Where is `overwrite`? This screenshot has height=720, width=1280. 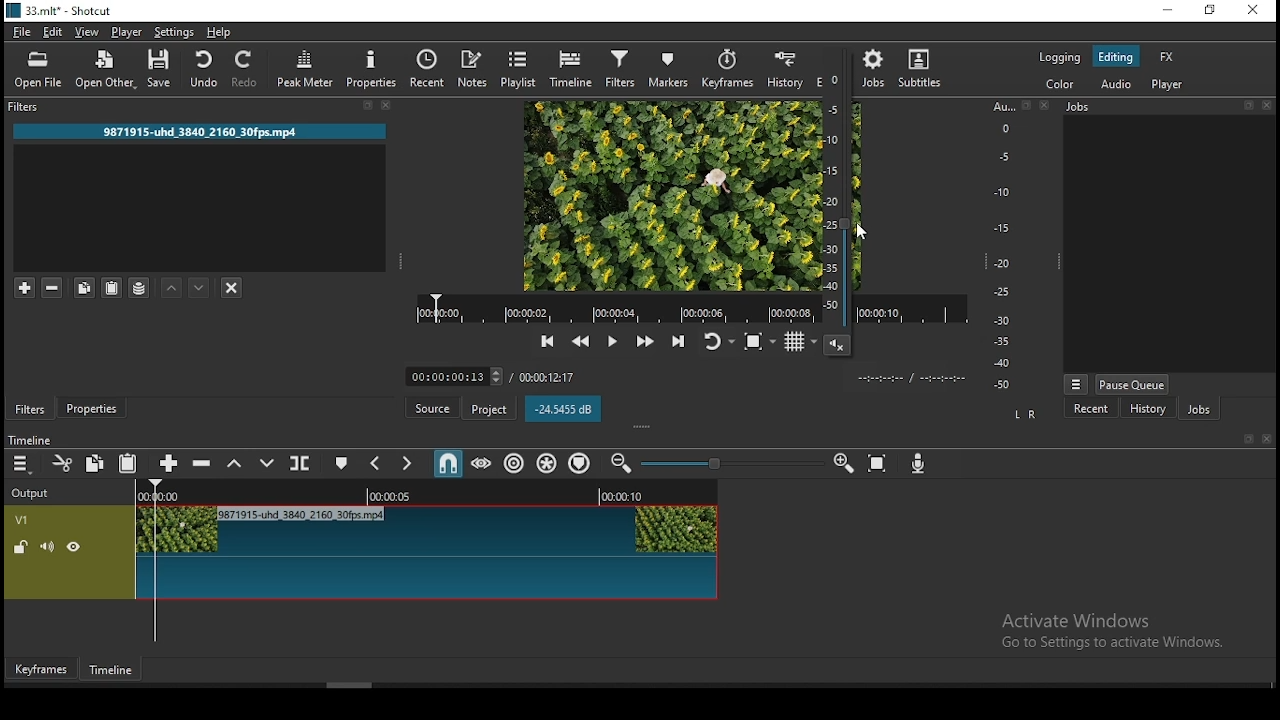
overwrite is located at coordinates (267, 465).